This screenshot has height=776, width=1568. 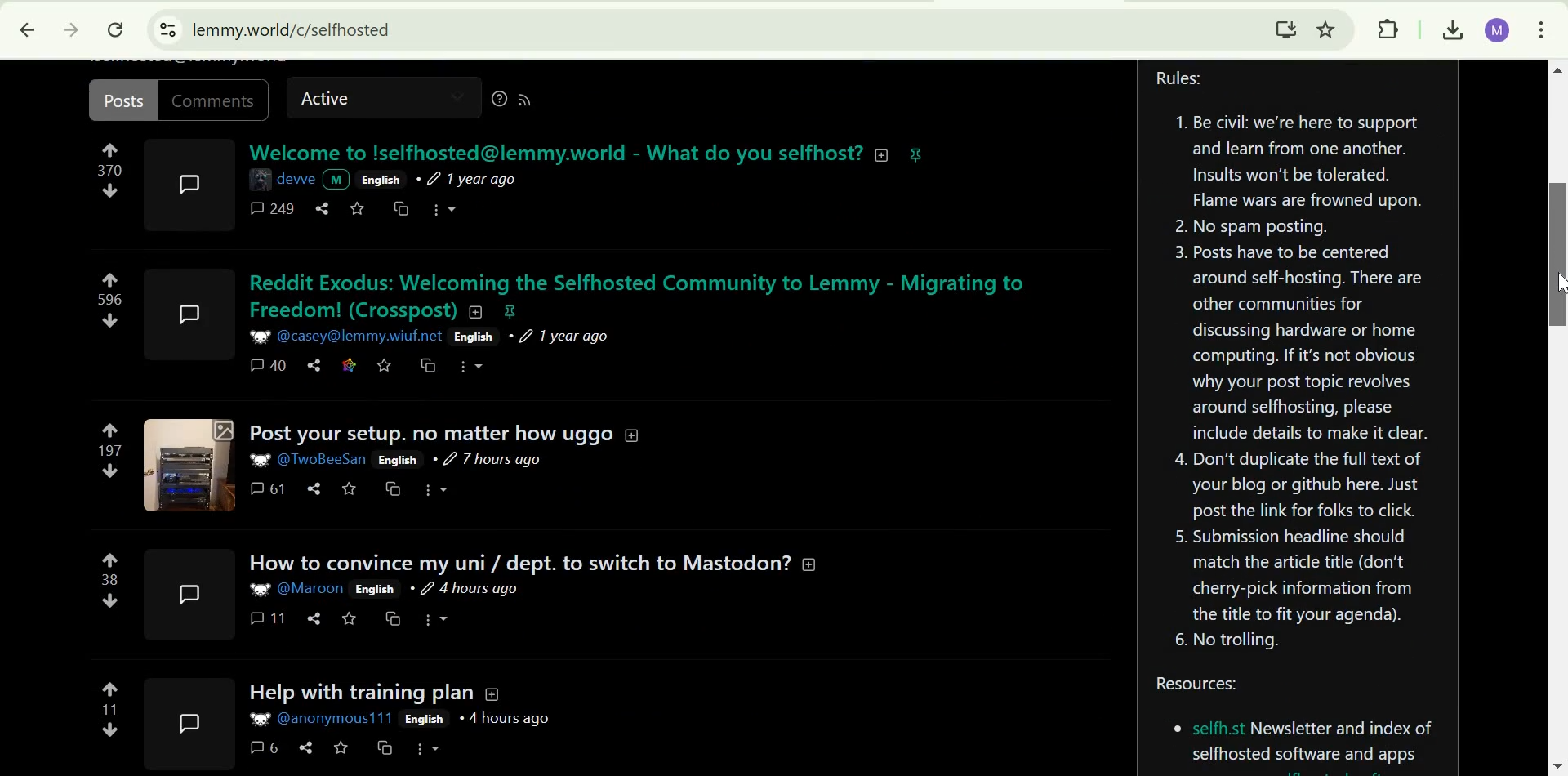 What do you see at coordinates (471, 337) in the screenshot?
I see `English` at bounding box center [471, 337].